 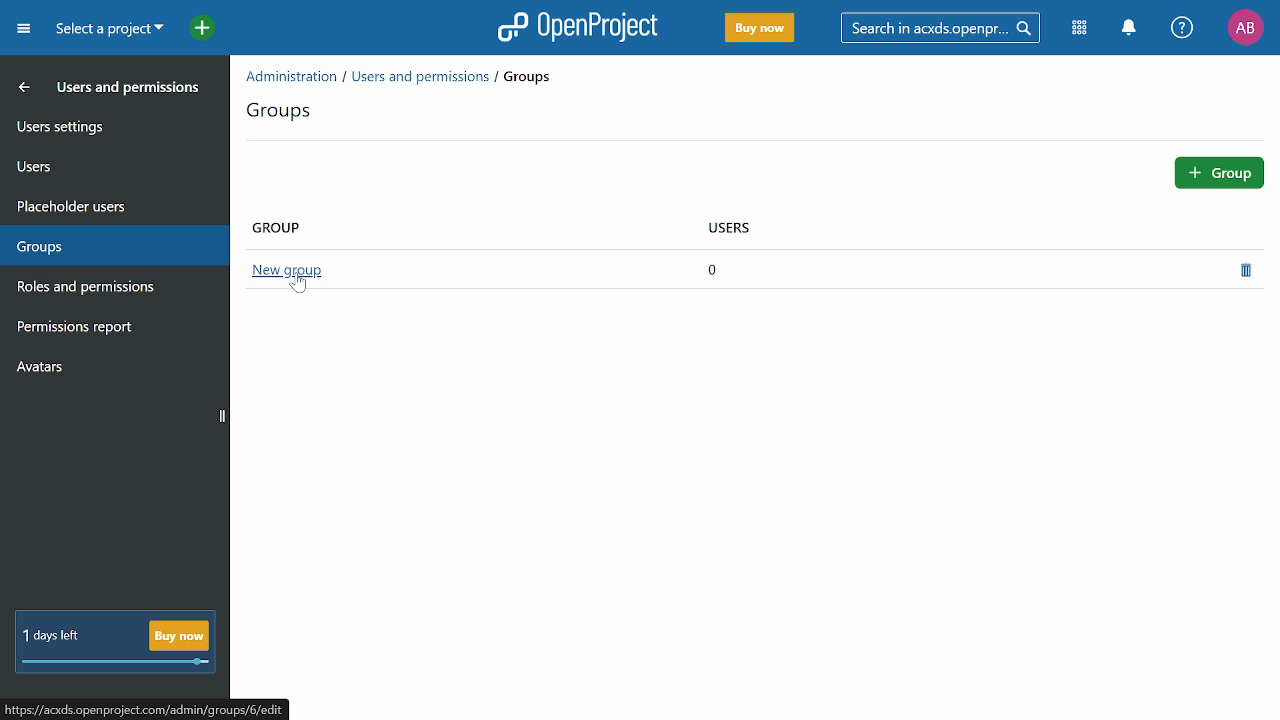 What do you see at coordinates (112, 204) in the screenshot?
I see `Placeholders users` at bounding box center [112, 204].